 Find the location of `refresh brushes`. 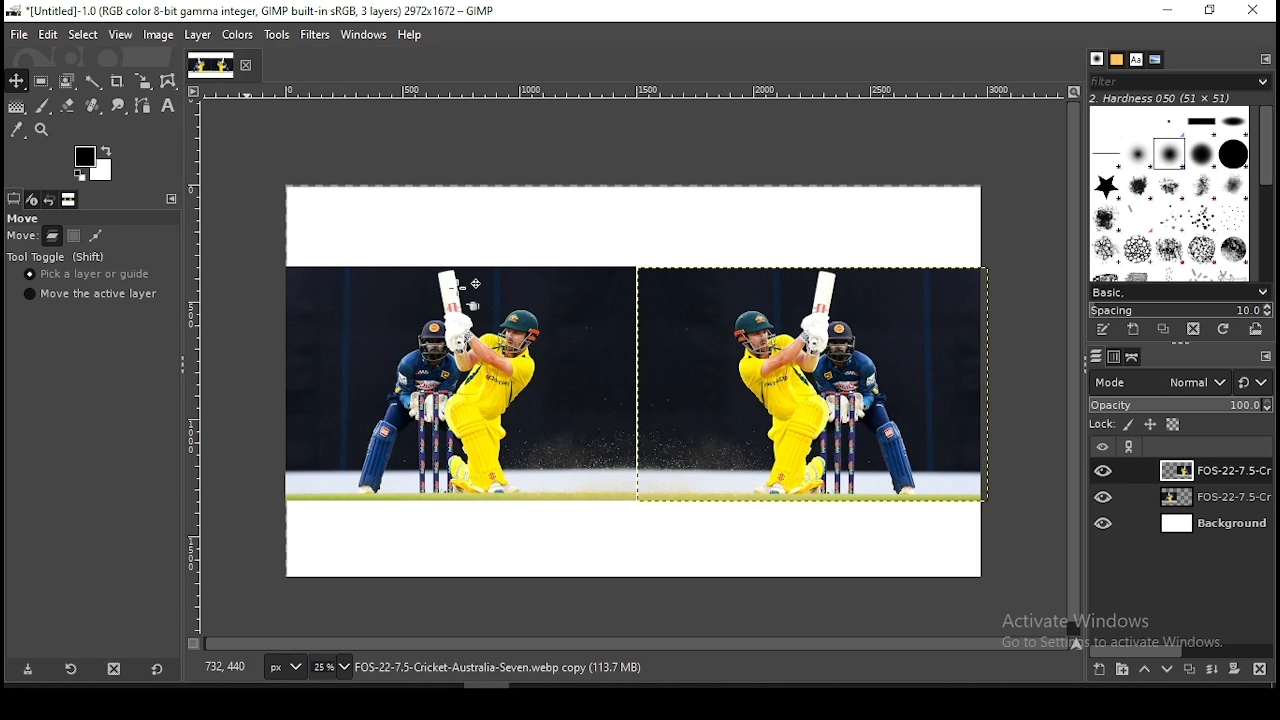

refresh brushes is located at coordinates (1225, 329).